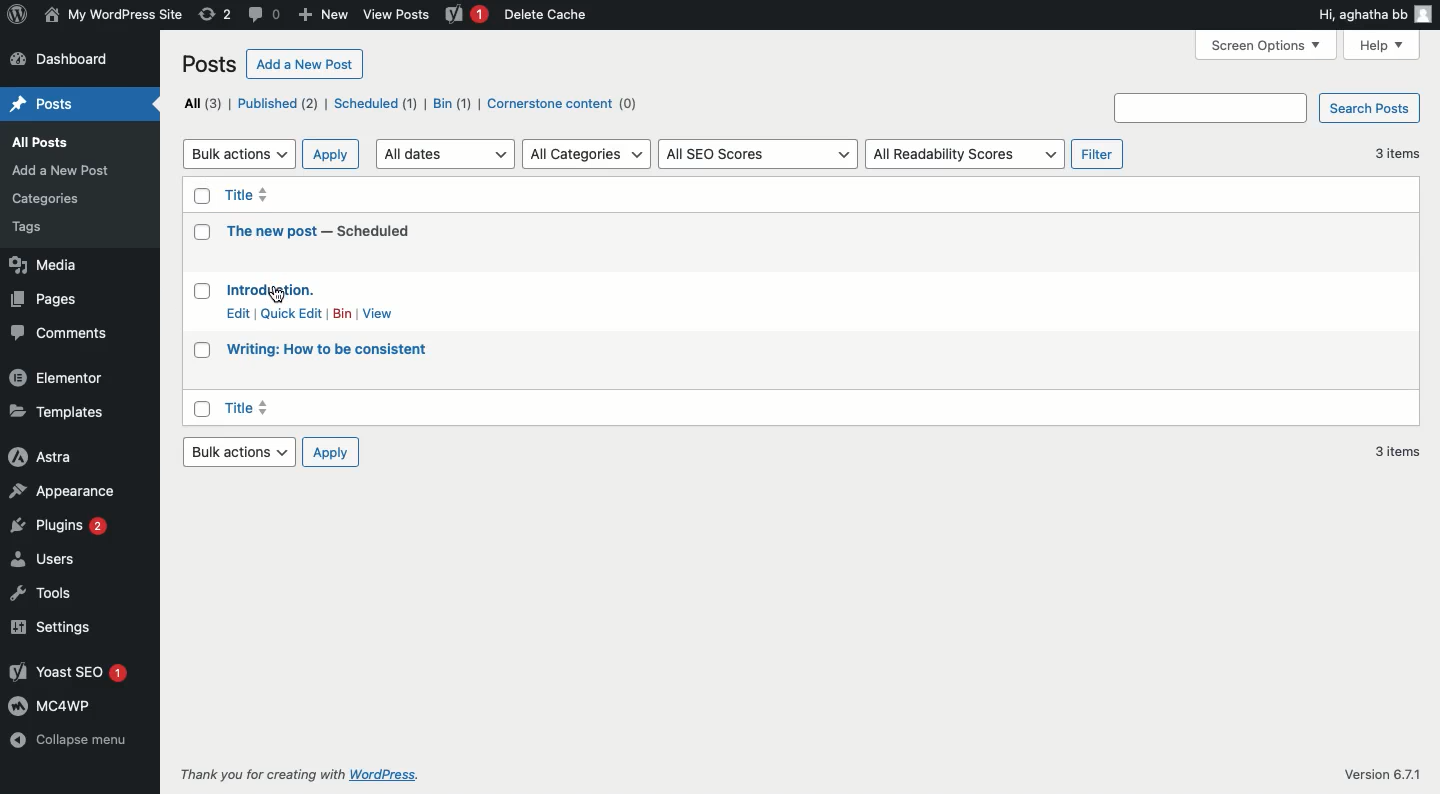 Image resolution: width=1440 pixels, height=794 pixels. What do you see at coordinates (318, 231) in the screenshot?
I see `The new post — Scheduled` at bounding box center [318, 231].